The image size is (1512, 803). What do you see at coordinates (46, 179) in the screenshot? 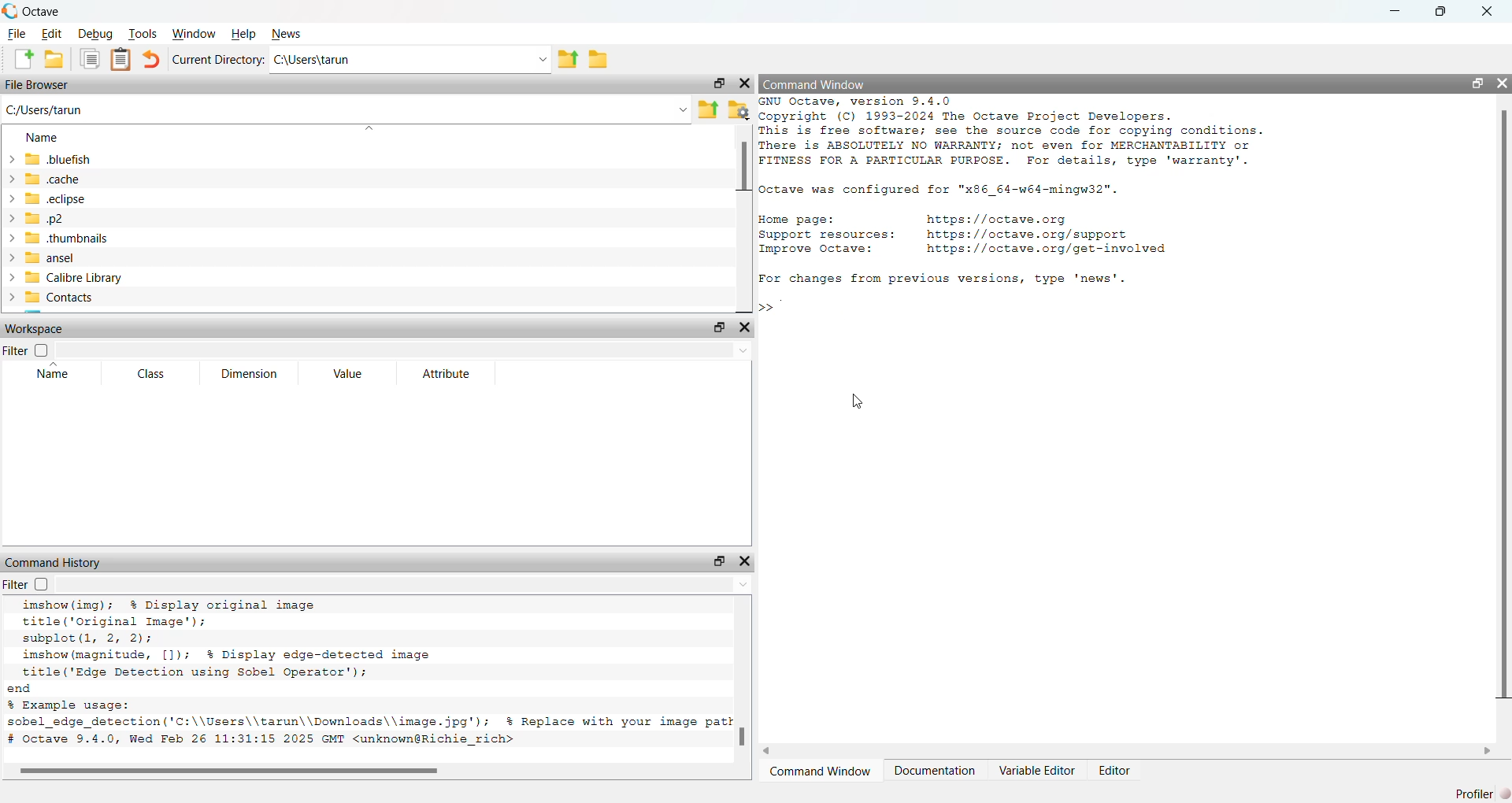
I see `“cache` at bounding box center [46, 179].